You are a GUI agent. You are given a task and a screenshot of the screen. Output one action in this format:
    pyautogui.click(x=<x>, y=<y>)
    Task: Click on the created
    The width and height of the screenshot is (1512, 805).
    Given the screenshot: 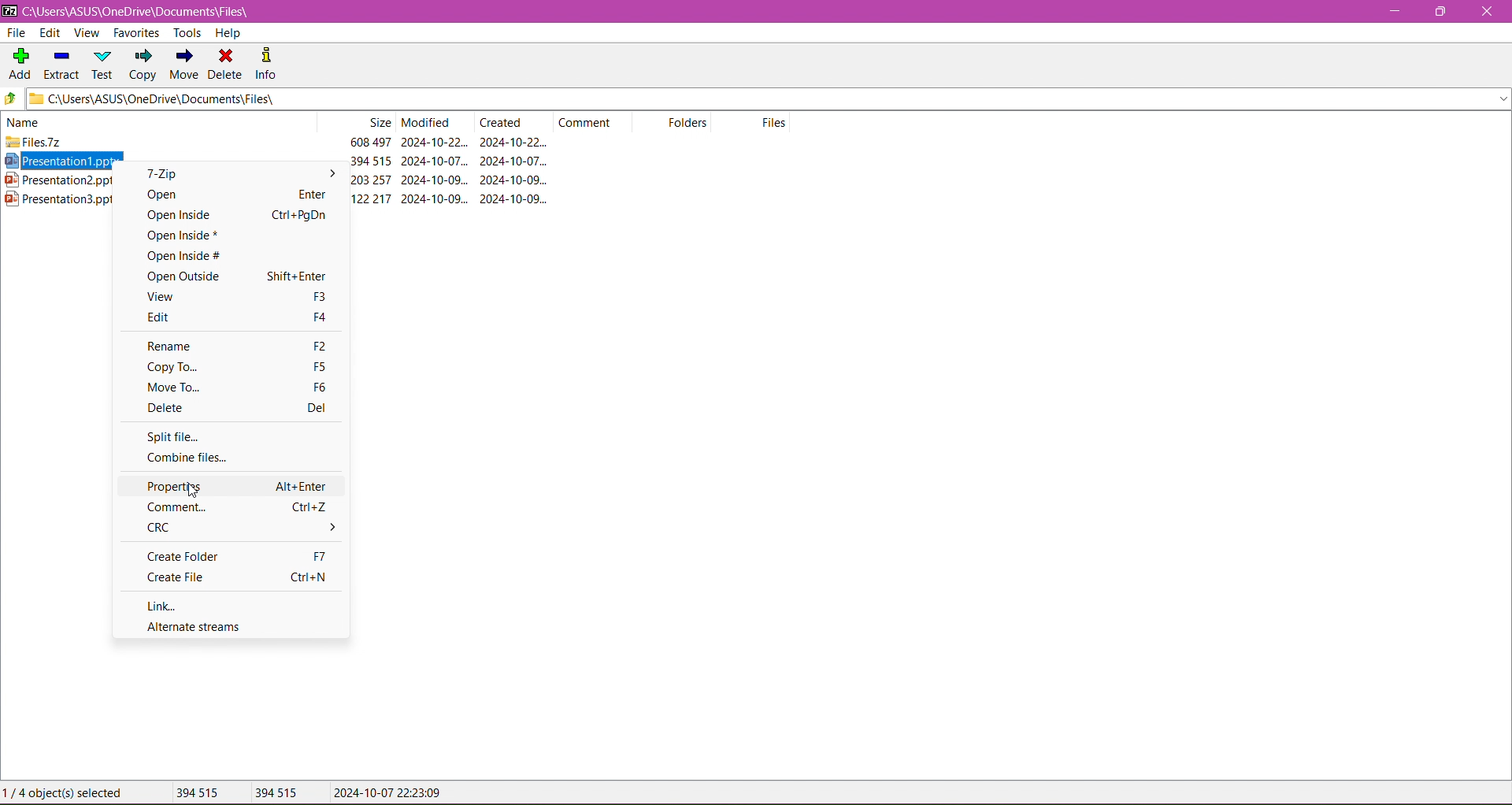 What is the action you would take?
    pyautogui.click(x=501, y=122)
    